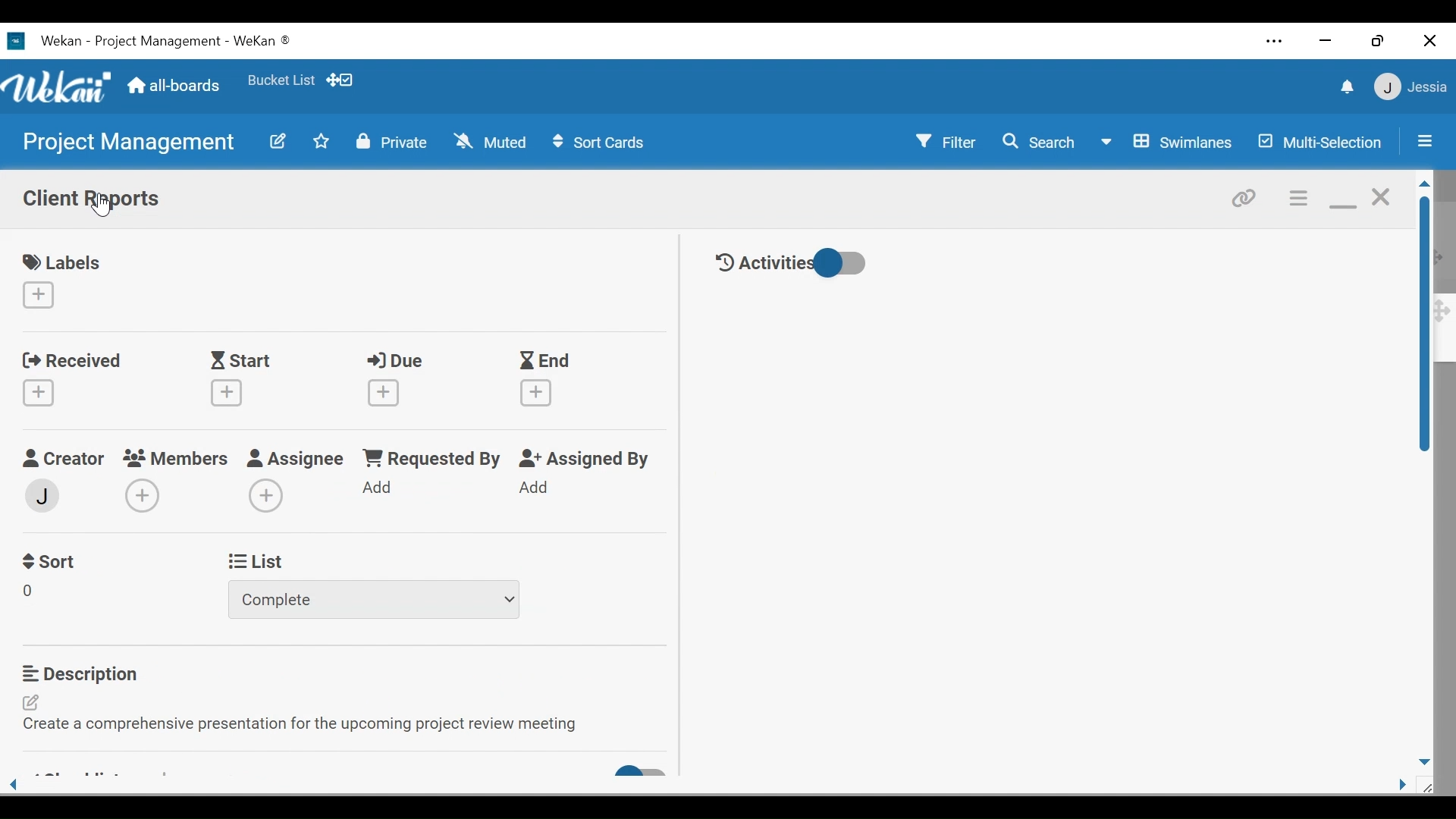 This screenshot has width=1456, height=819. Describe the element at coordinates (392, 142) in the screenshot. I see `Private` at that location.